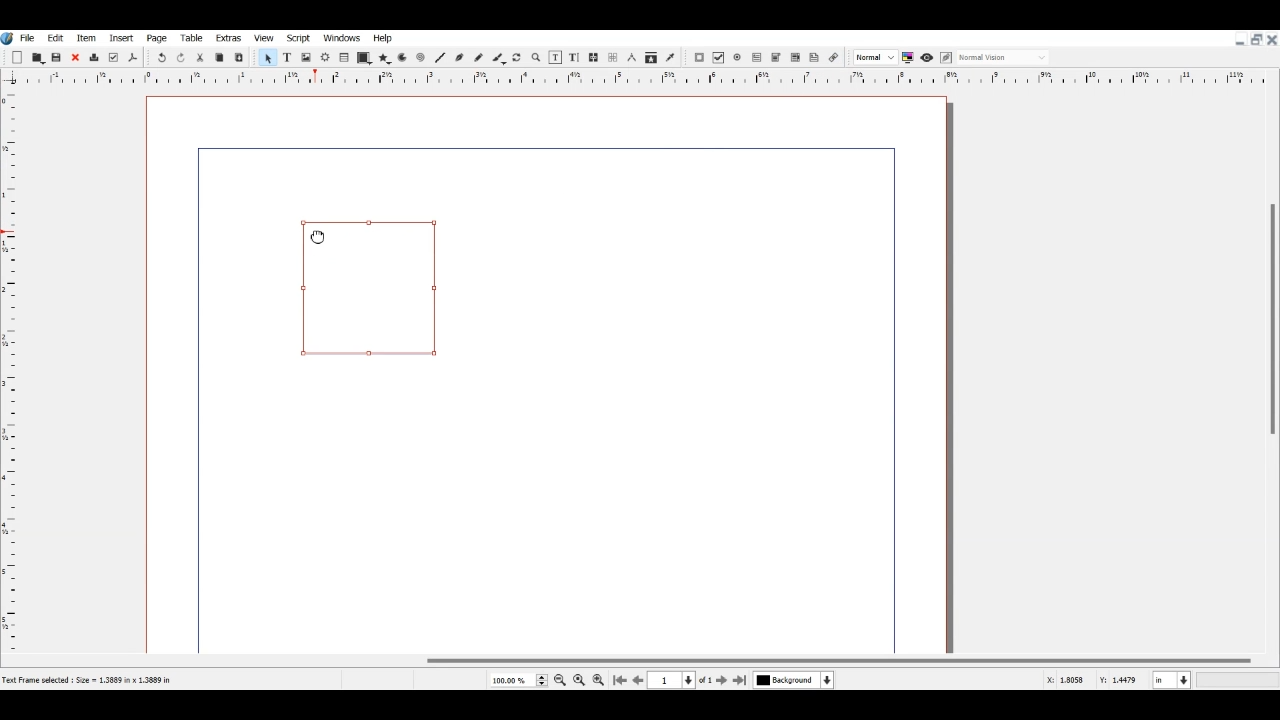  I want to click on Save as PDF, so click(133, 58).